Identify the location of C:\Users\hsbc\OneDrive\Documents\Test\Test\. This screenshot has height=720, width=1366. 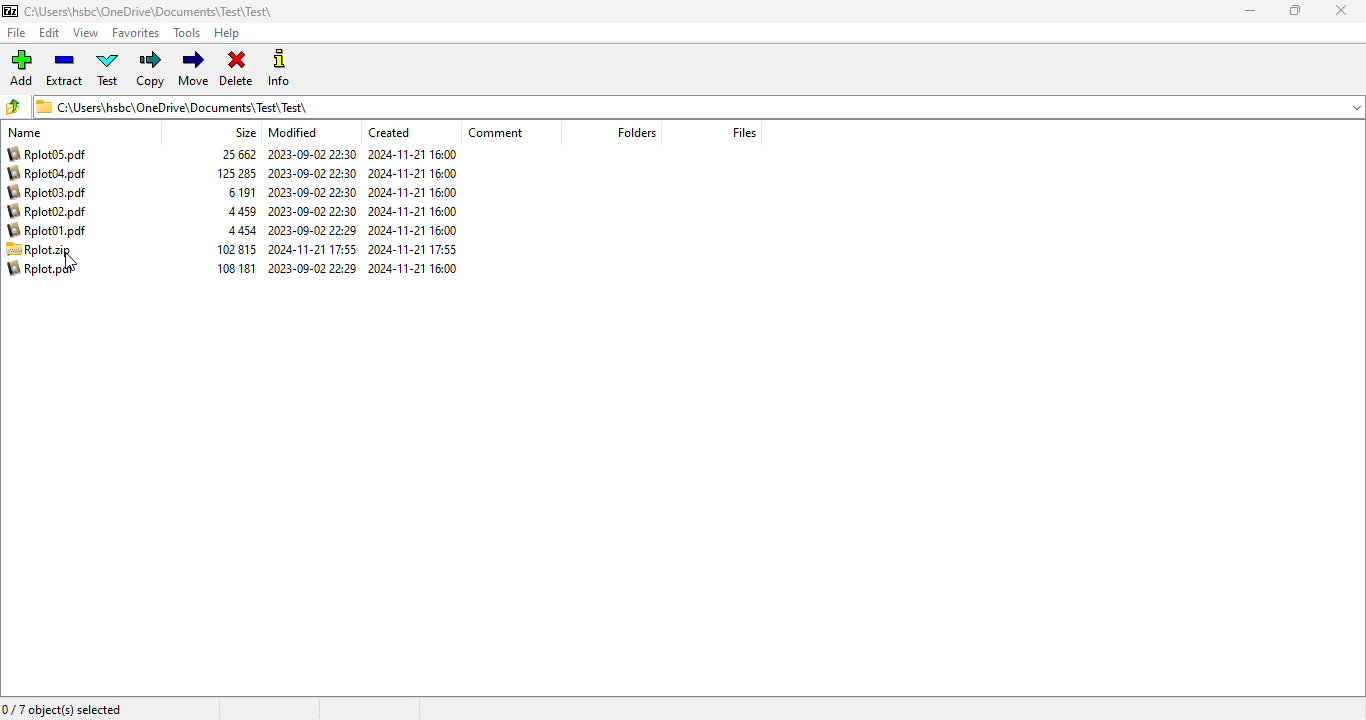
(144, 11).